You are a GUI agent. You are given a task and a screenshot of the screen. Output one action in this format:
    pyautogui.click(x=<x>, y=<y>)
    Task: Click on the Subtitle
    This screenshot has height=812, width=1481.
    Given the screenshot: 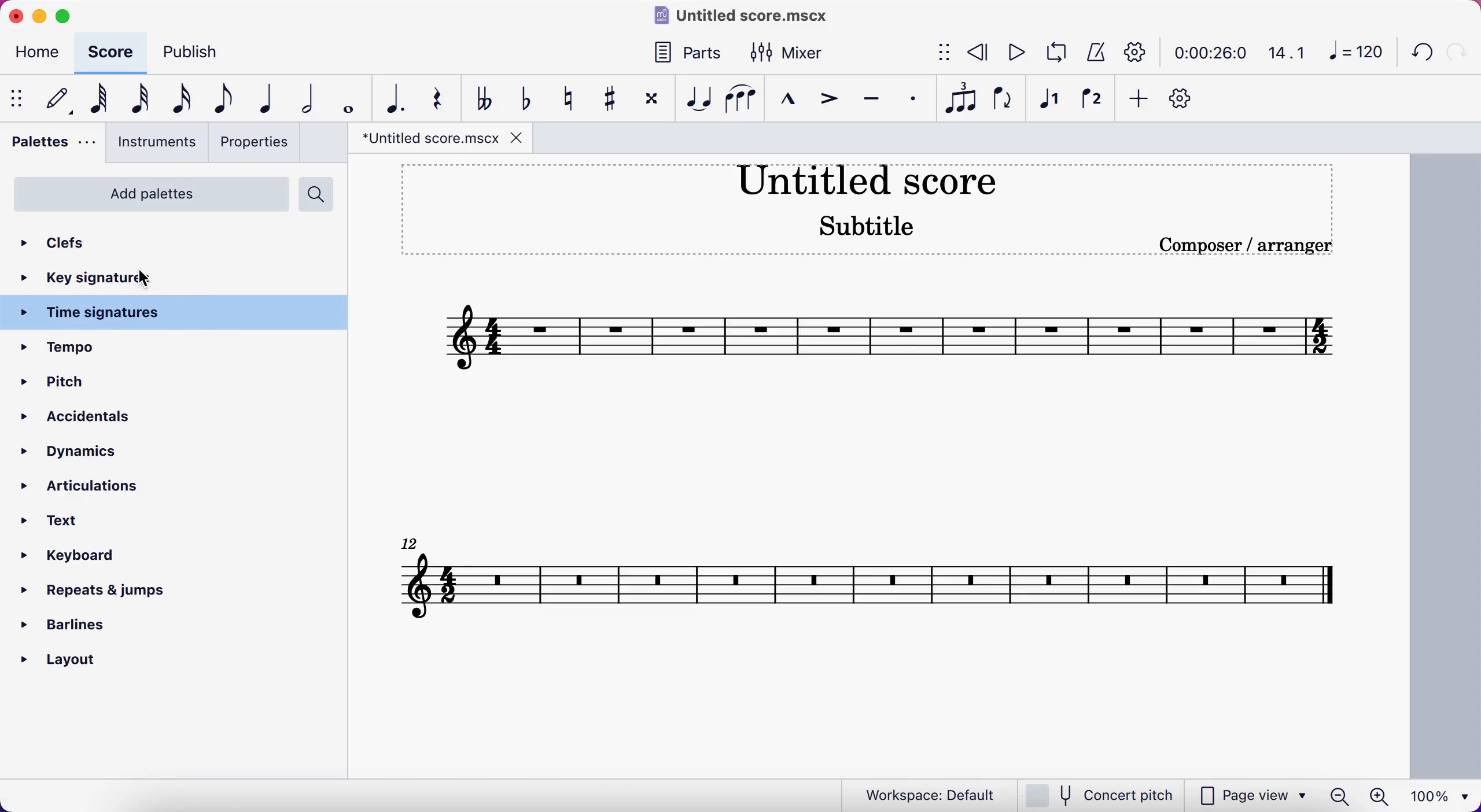 What is the action you would take?
    pyautogui.click(x=871, y=226)
    